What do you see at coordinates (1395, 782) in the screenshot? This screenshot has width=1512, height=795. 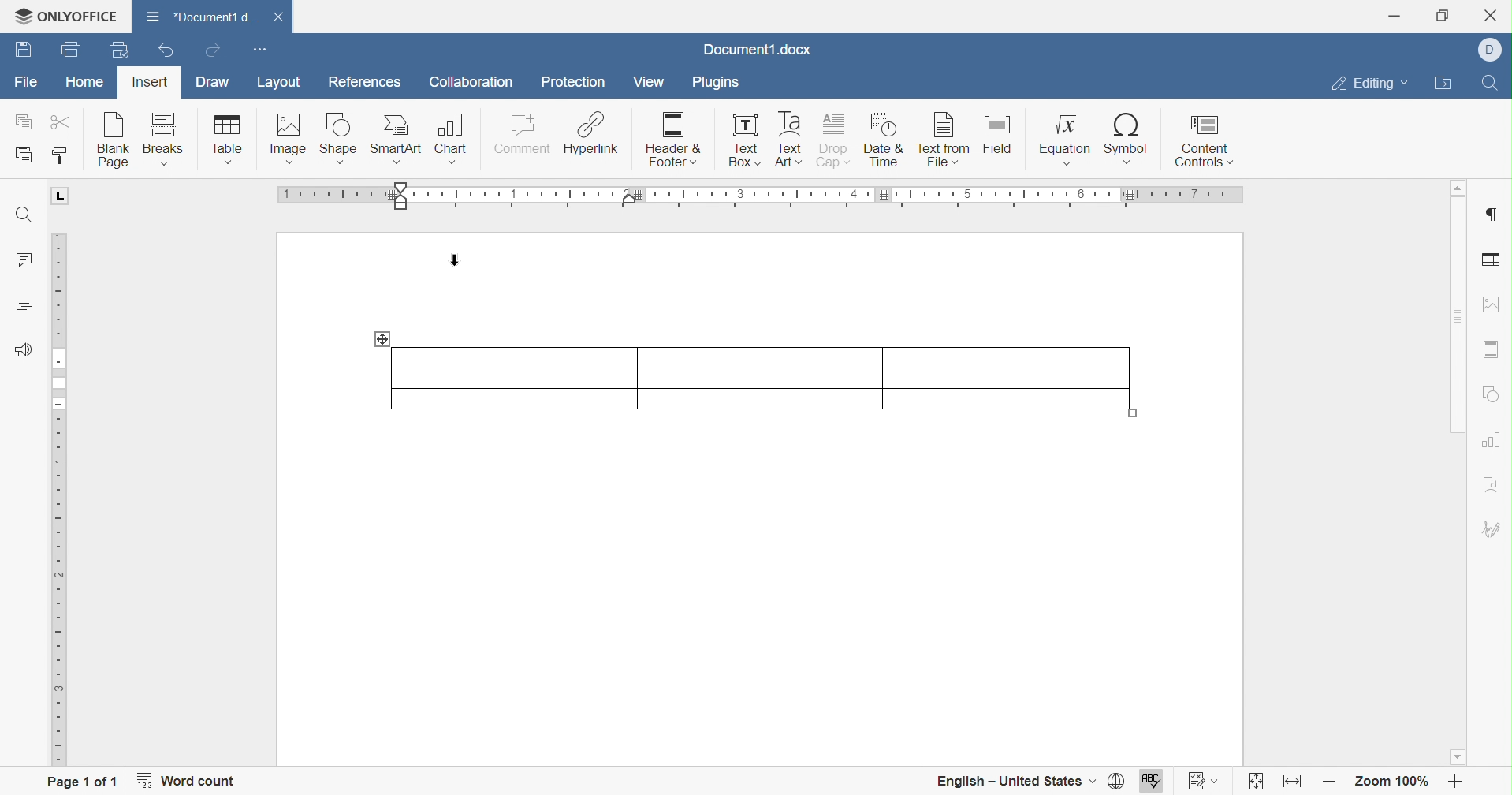 I see `Zoom 100%` at bounding box center [1395, 782].